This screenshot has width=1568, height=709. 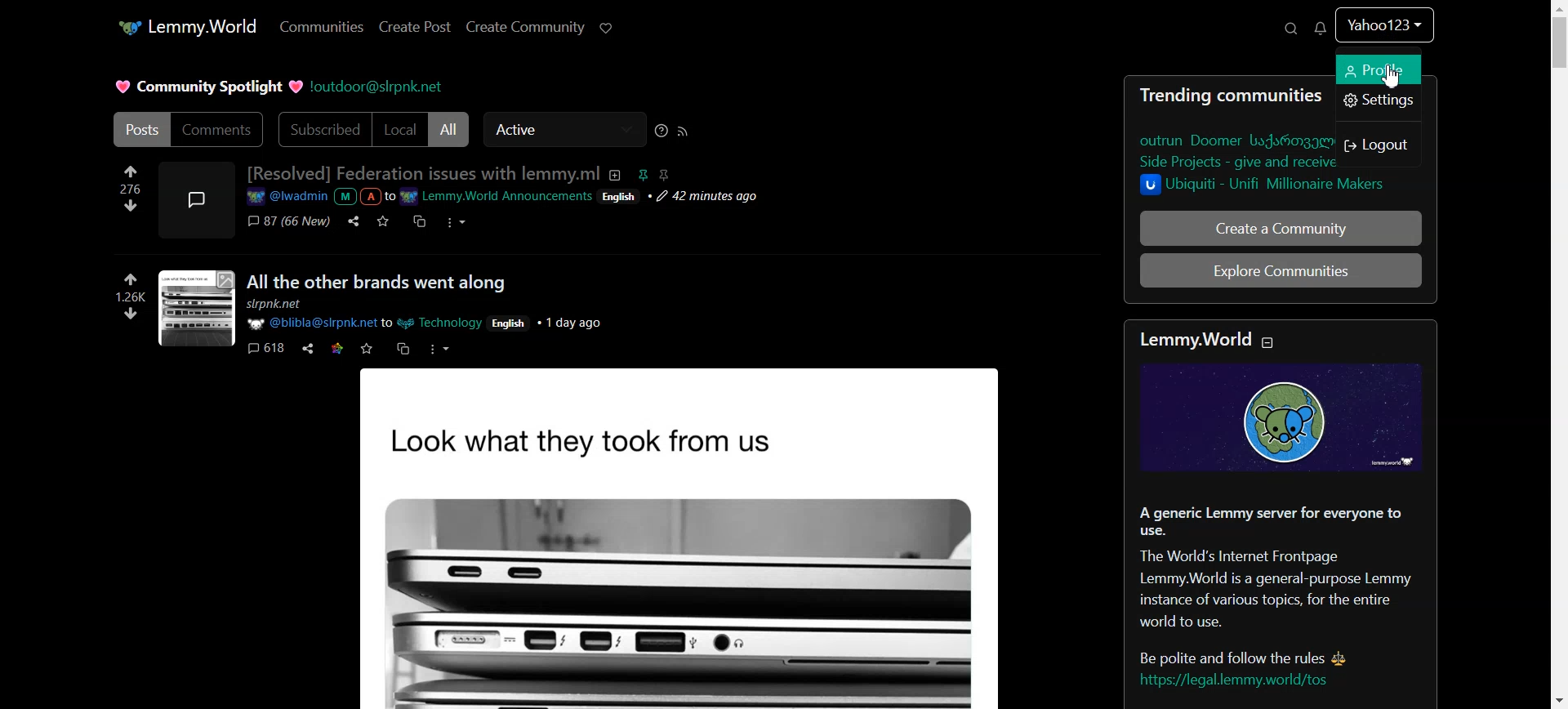 What do you see at coordinates (308, 348) in the screenshot?
I see `share` at bounding box center [308, 348].